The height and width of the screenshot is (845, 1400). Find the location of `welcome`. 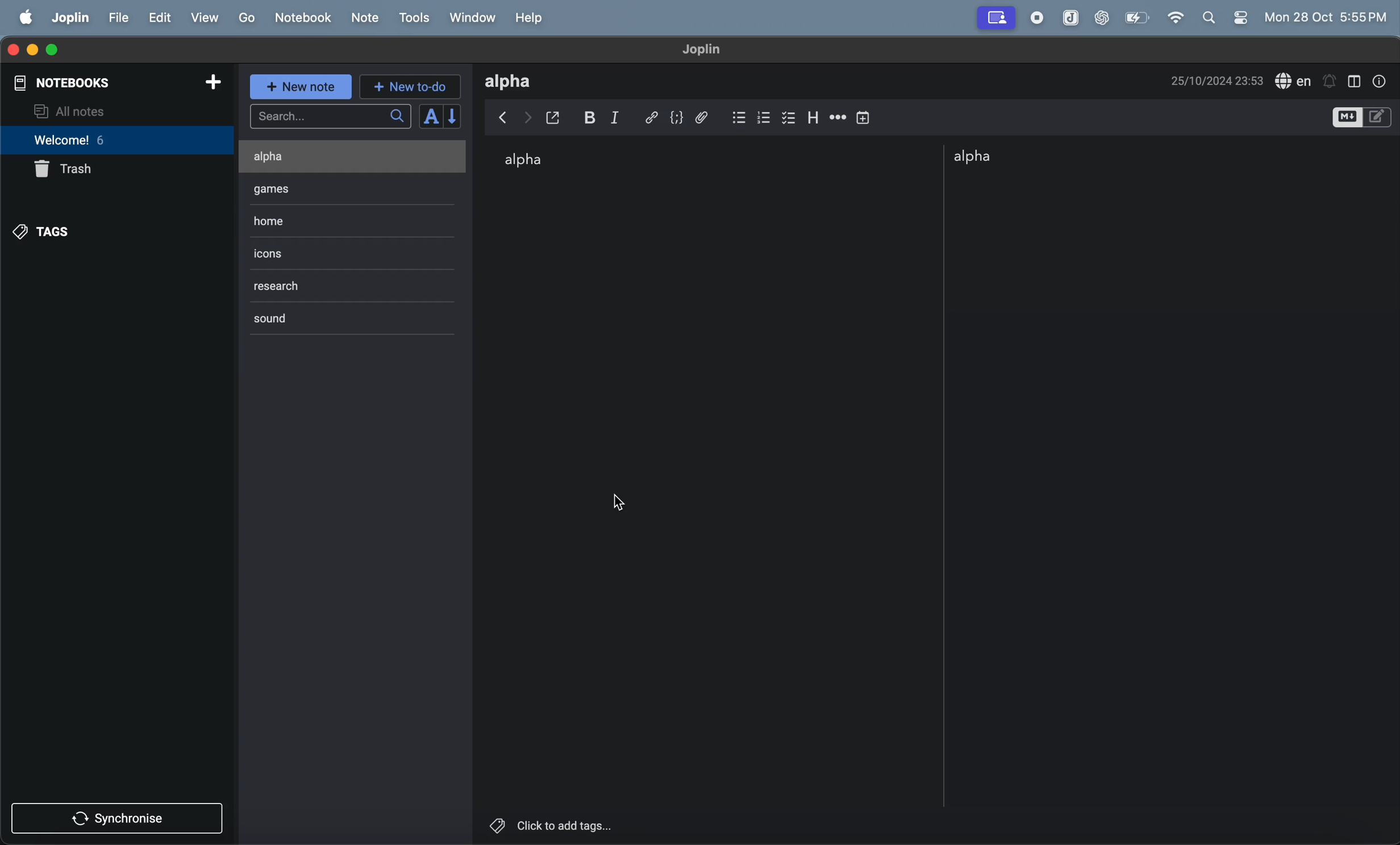

welcome is located at coordinates (95, 141).